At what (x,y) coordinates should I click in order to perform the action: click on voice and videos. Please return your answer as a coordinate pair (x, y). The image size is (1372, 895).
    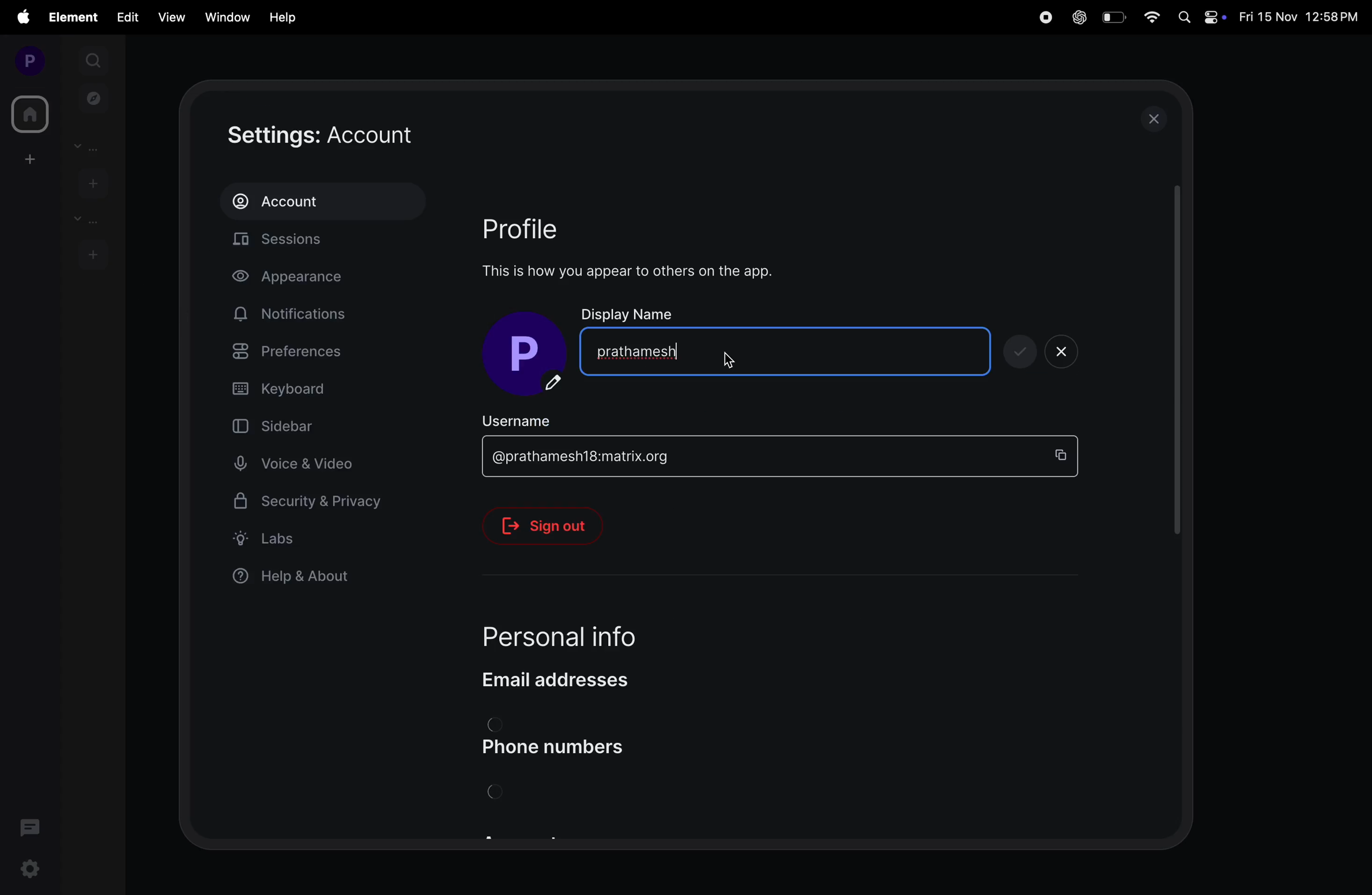
    Looking at the image, I should click on (300, 464).